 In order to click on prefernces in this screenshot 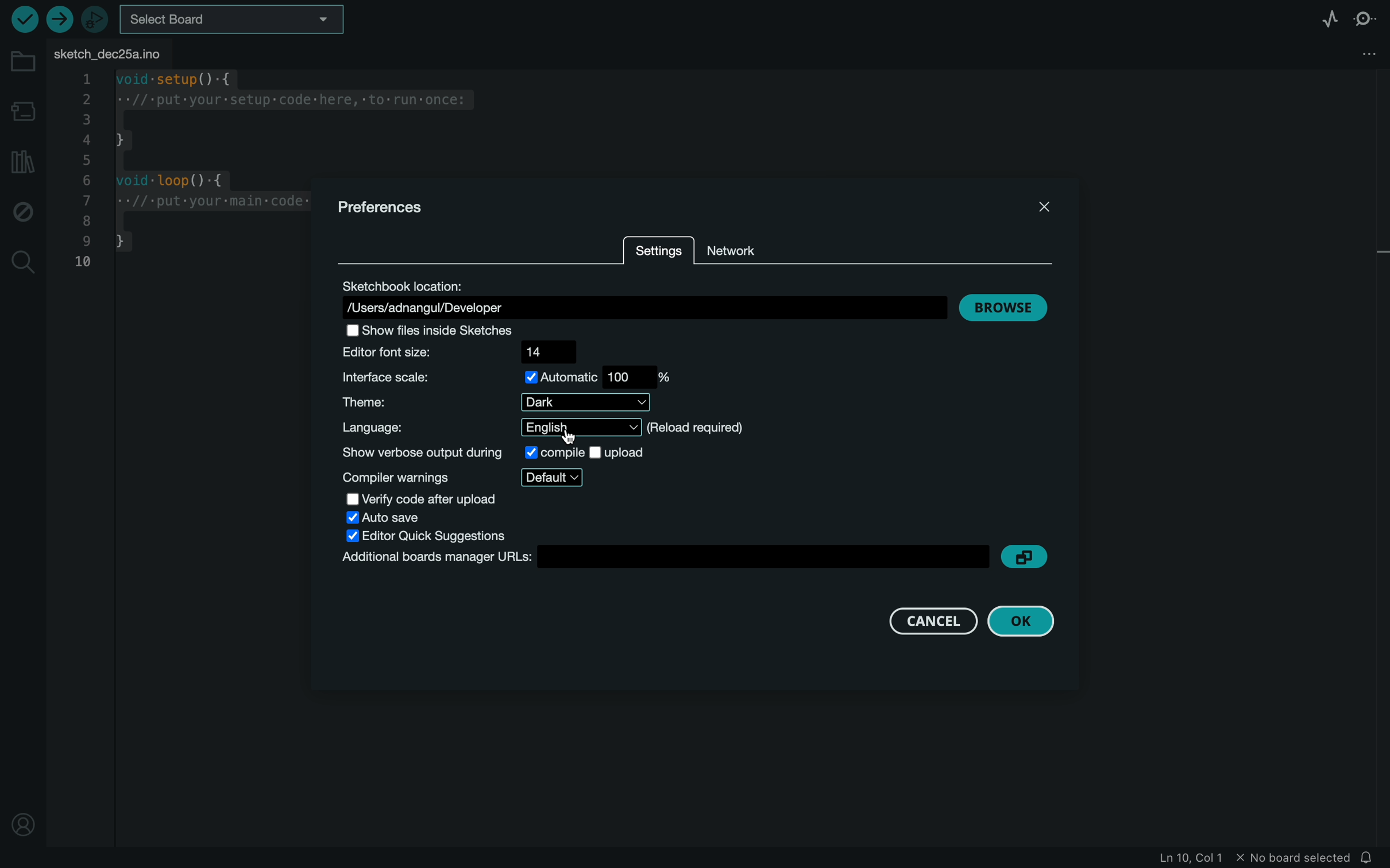, I will do `click(386, 207)`.